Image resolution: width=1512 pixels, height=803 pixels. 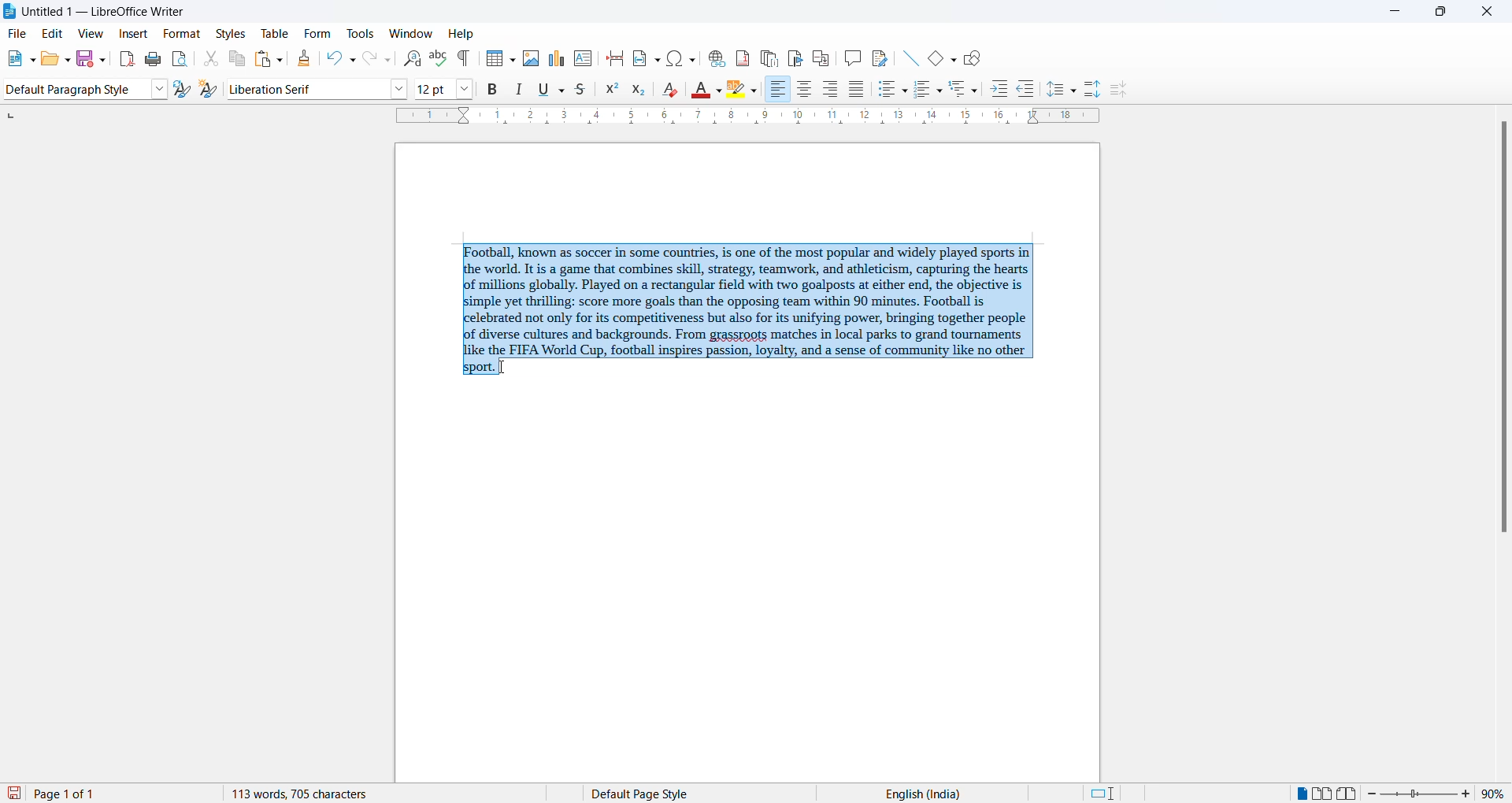 What do you see at coordinates (1073, 90) in the screenshot?
I see `line spacing option dropdown` at bounding box center [1073, 90].